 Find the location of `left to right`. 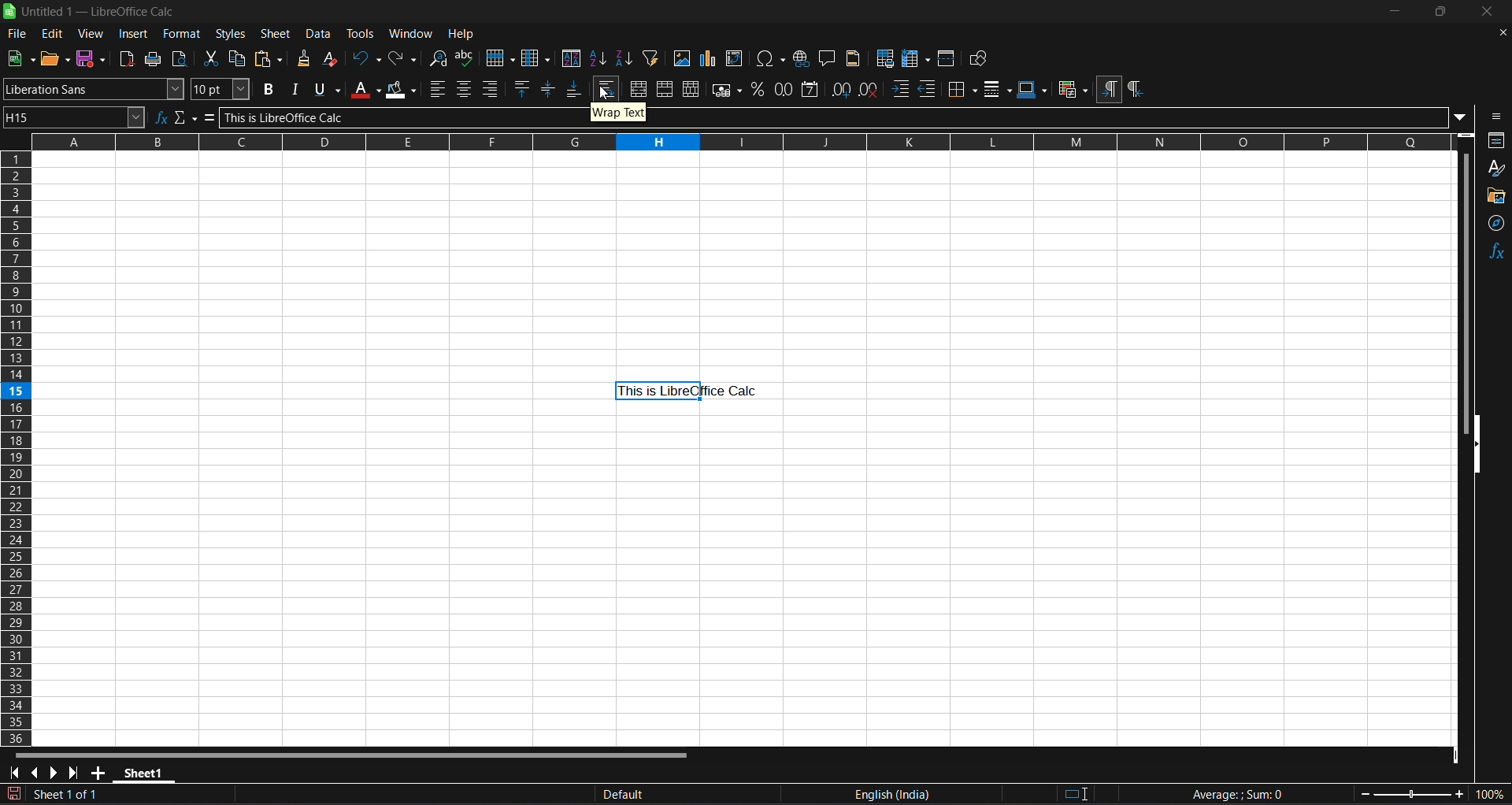

left to right is located at coordinates (1109, 90).